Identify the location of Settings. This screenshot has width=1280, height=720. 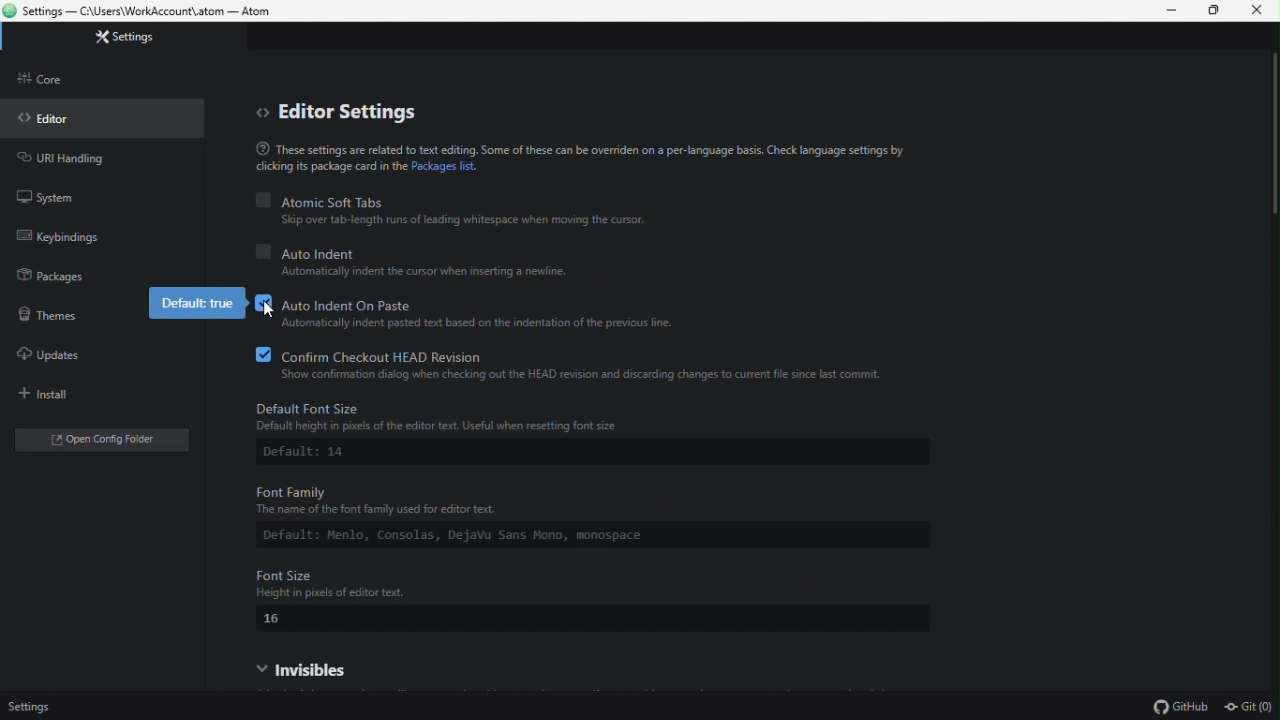
(156, 42).